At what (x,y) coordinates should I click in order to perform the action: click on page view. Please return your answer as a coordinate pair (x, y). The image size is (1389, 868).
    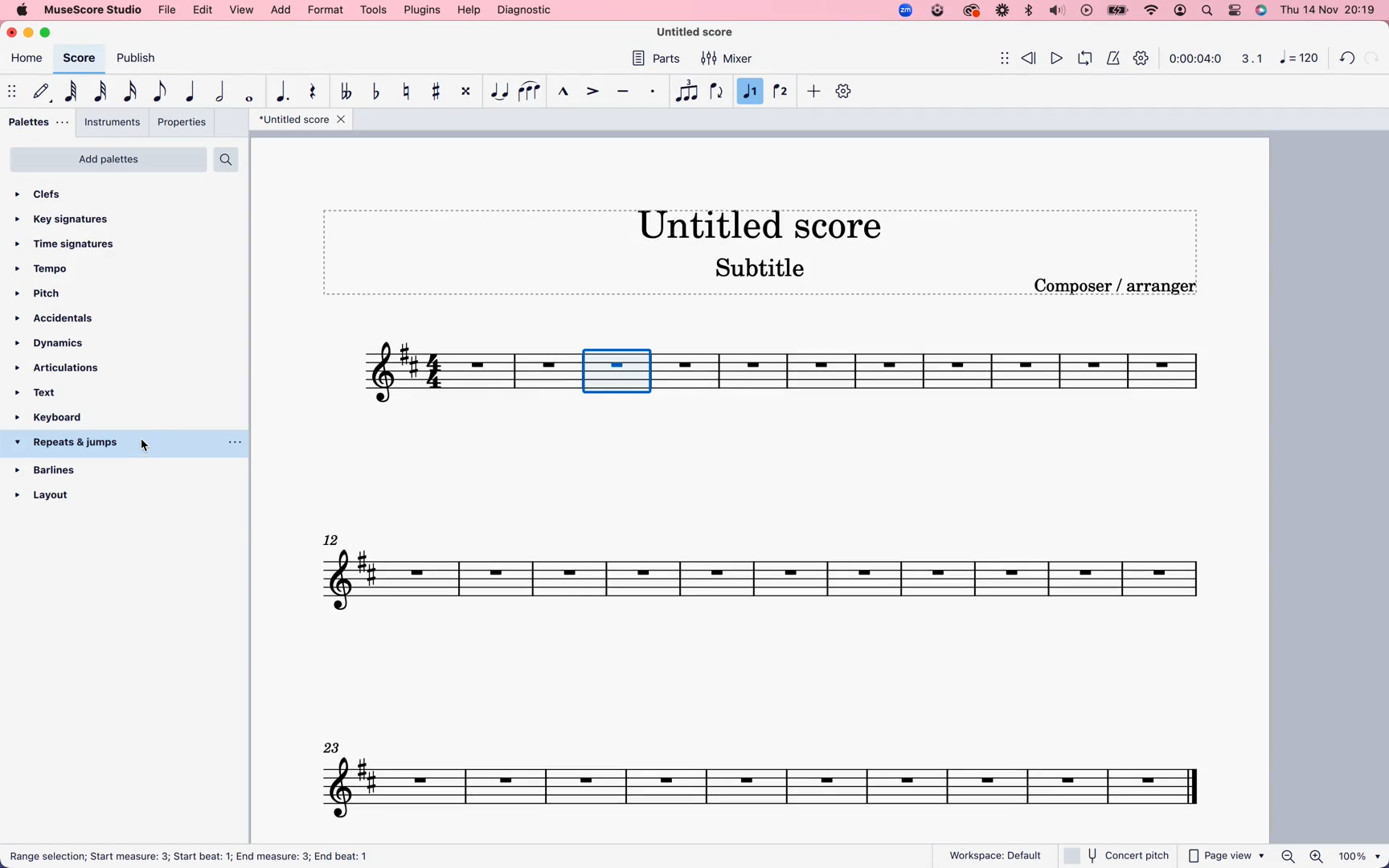
    Looking at the image, I should click on (1227, 856).